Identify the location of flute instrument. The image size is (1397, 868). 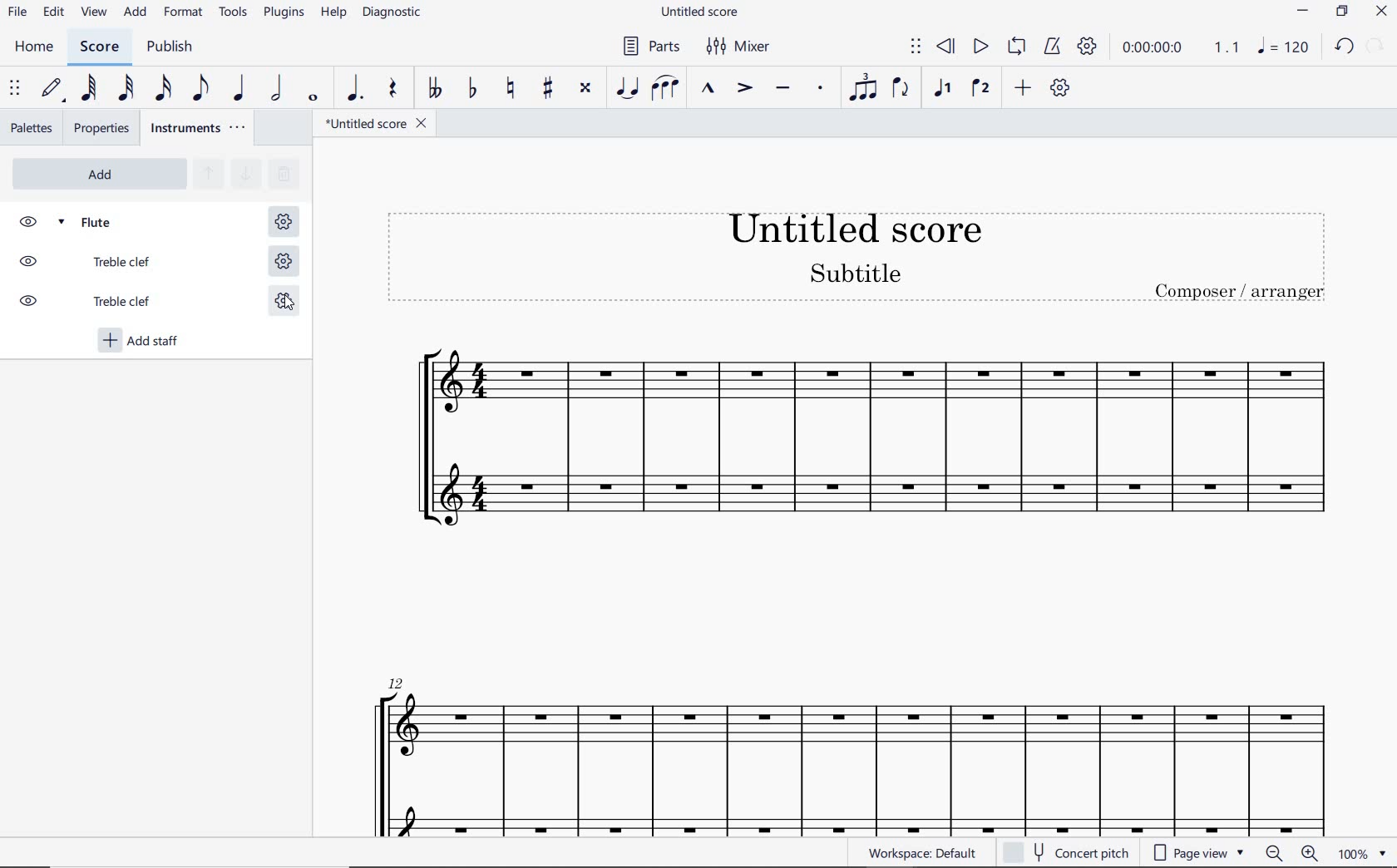
(846, 720).